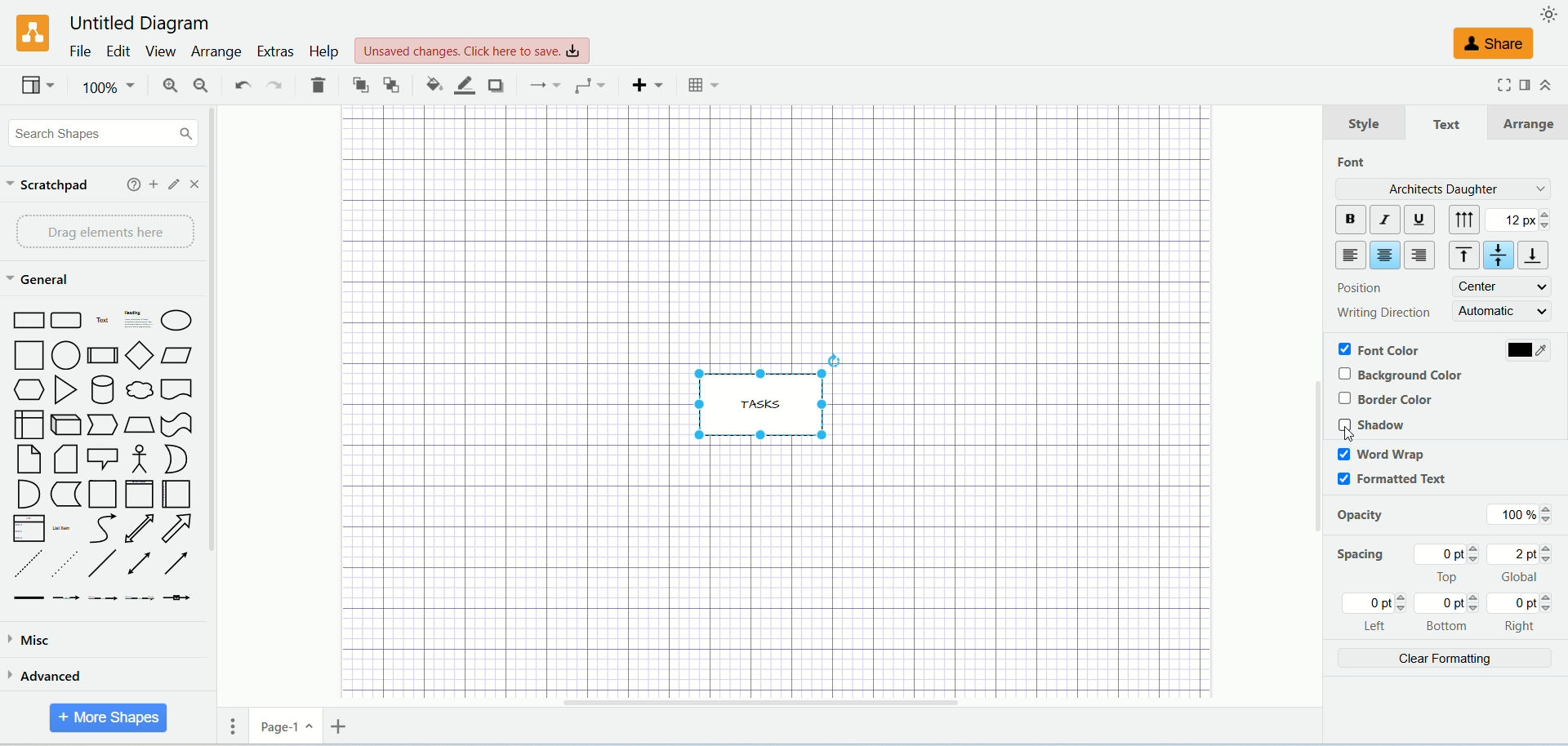 The image size is (1568, 746). Describe the element at coordinates (104, 565) in the screenshot. I see `Line` at that location.